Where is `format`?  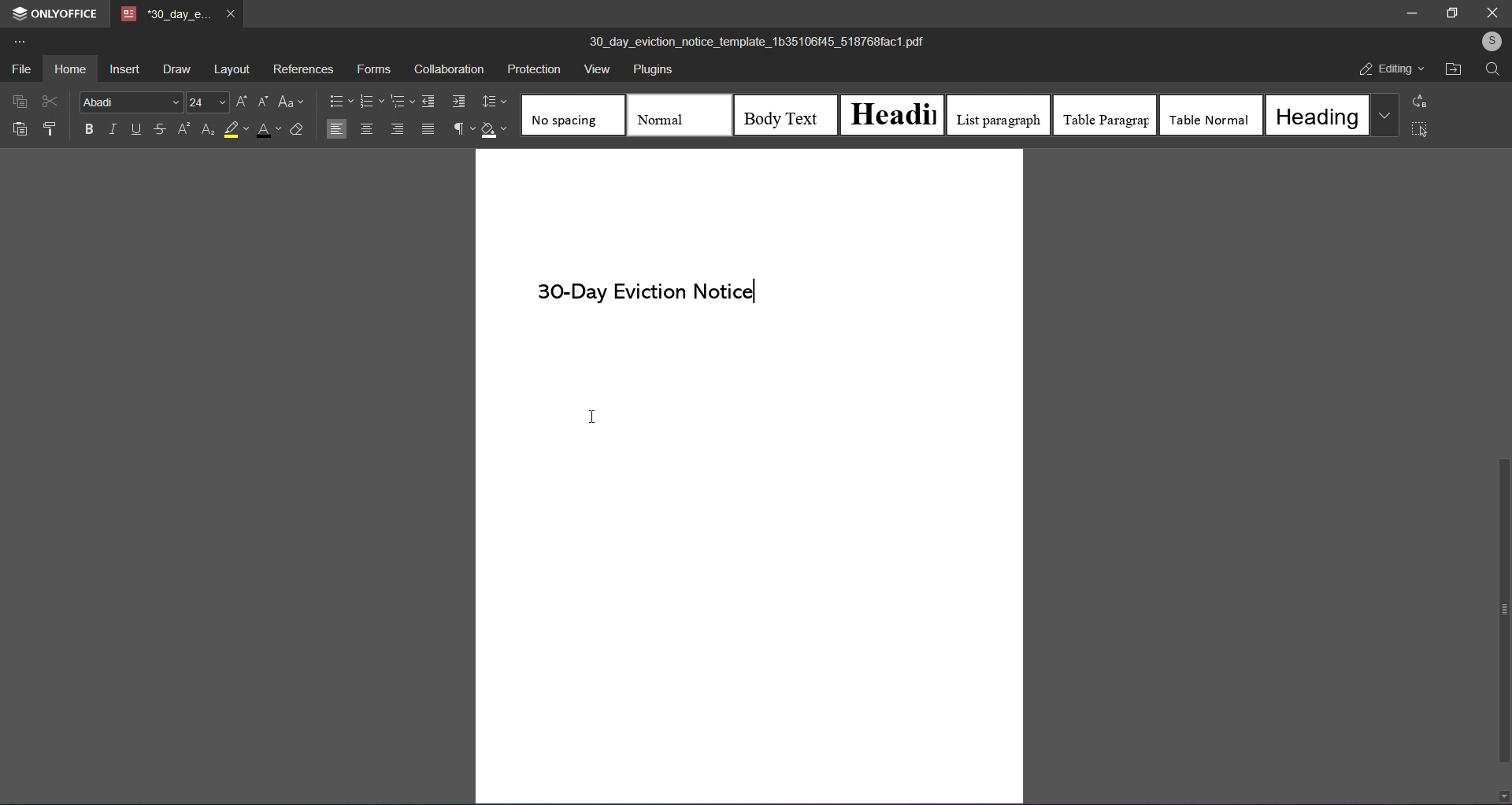
format is located at coordinates (50, 128).